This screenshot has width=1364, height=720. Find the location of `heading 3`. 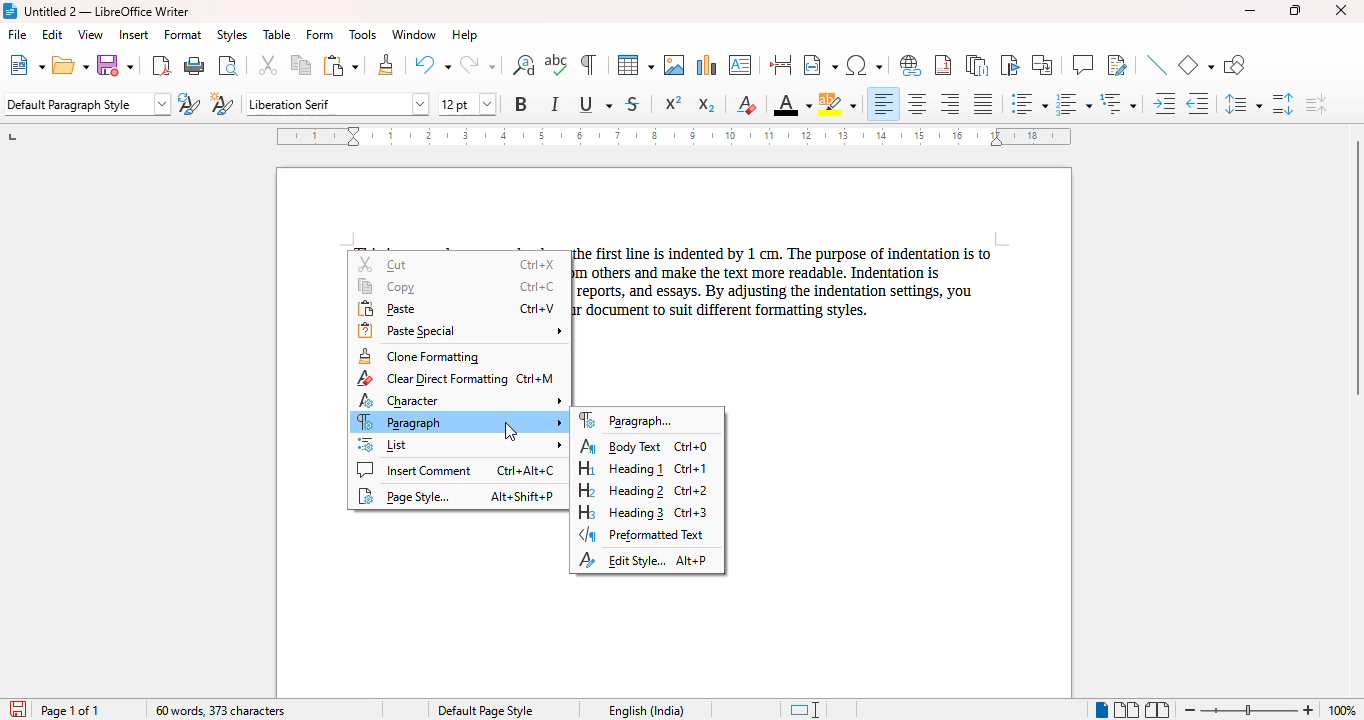

heading 3 is located at coordinates (642, 512).